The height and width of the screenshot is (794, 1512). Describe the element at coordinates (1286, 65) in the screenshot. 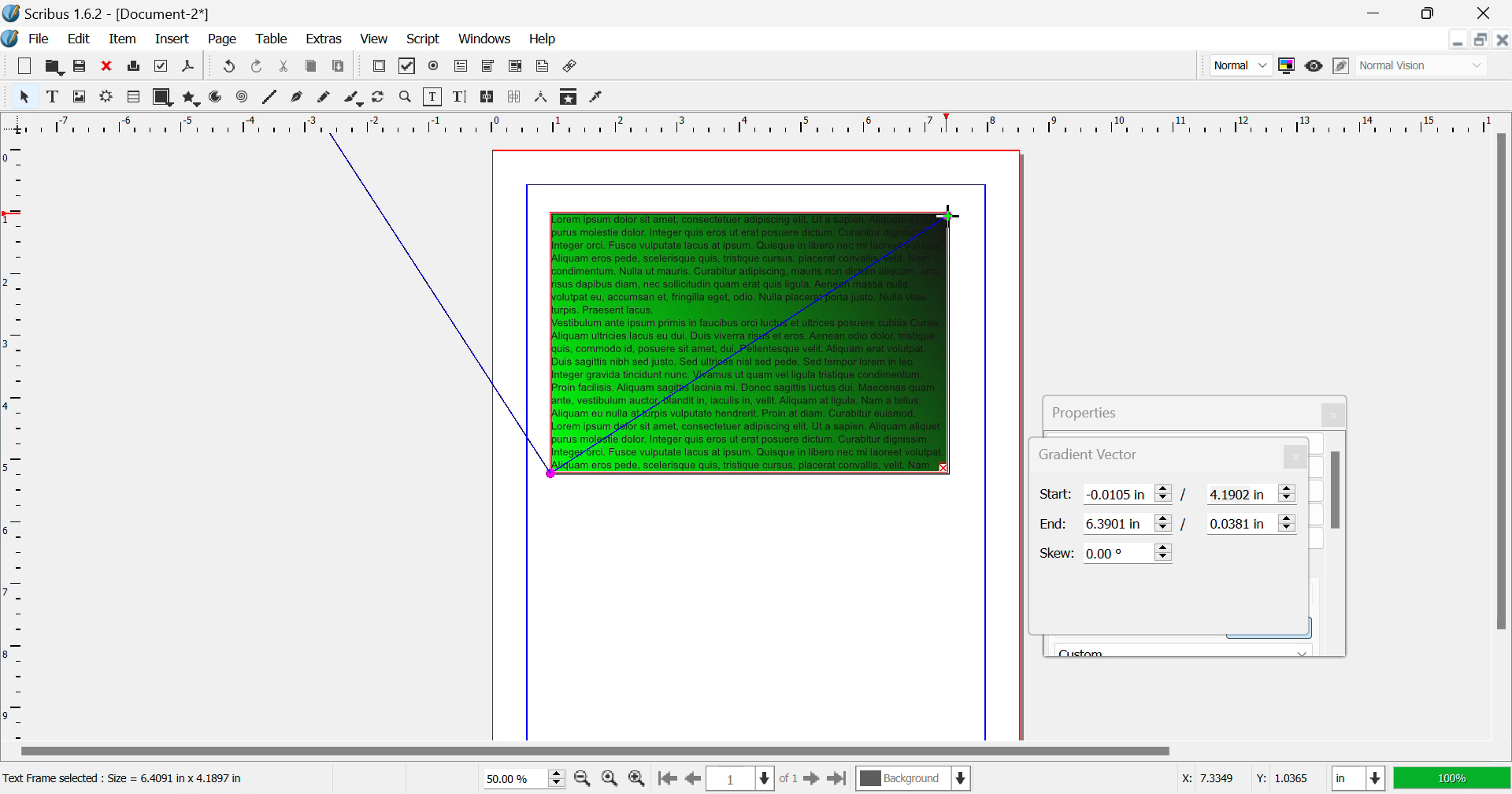

I see `Toggle Color Management` at that location.